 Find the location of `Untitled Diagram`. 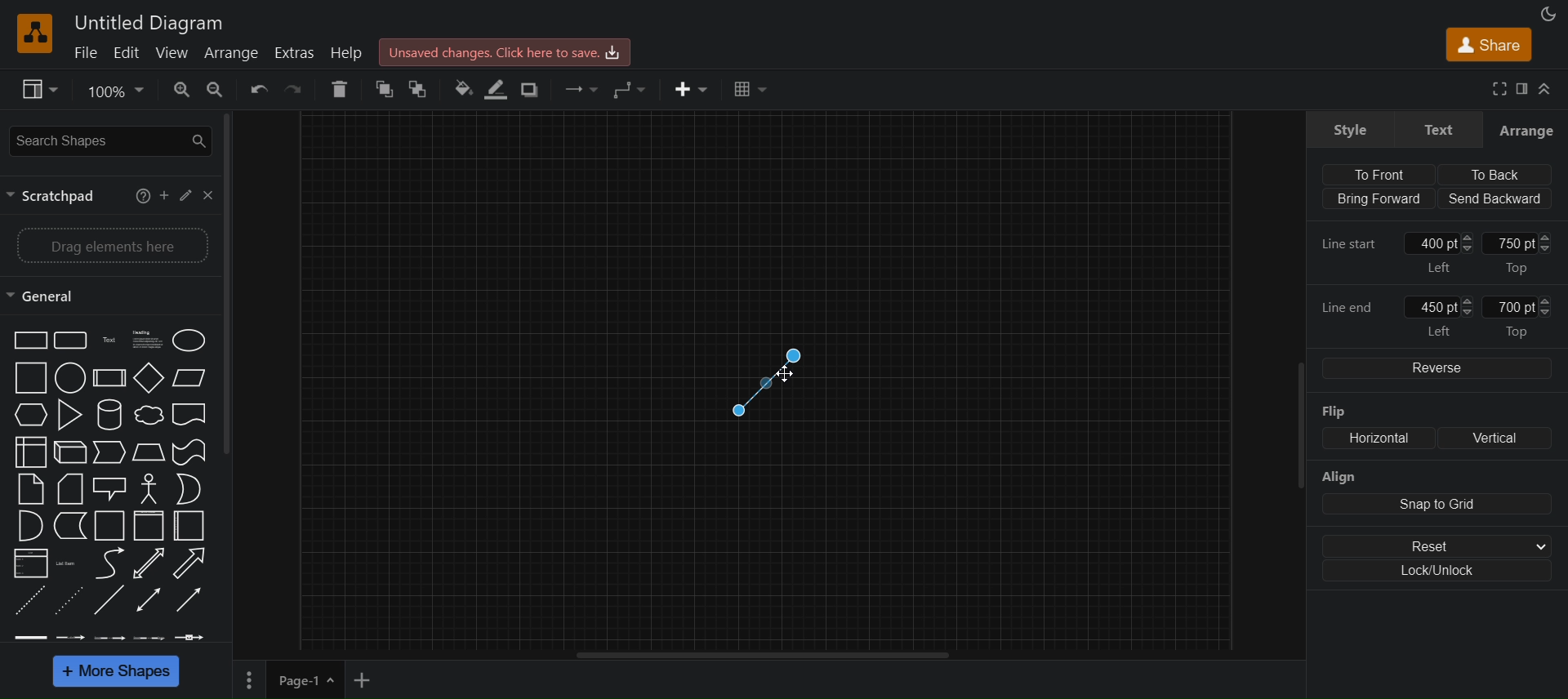

Untitled Diagram is located at coordinates (149, 23).